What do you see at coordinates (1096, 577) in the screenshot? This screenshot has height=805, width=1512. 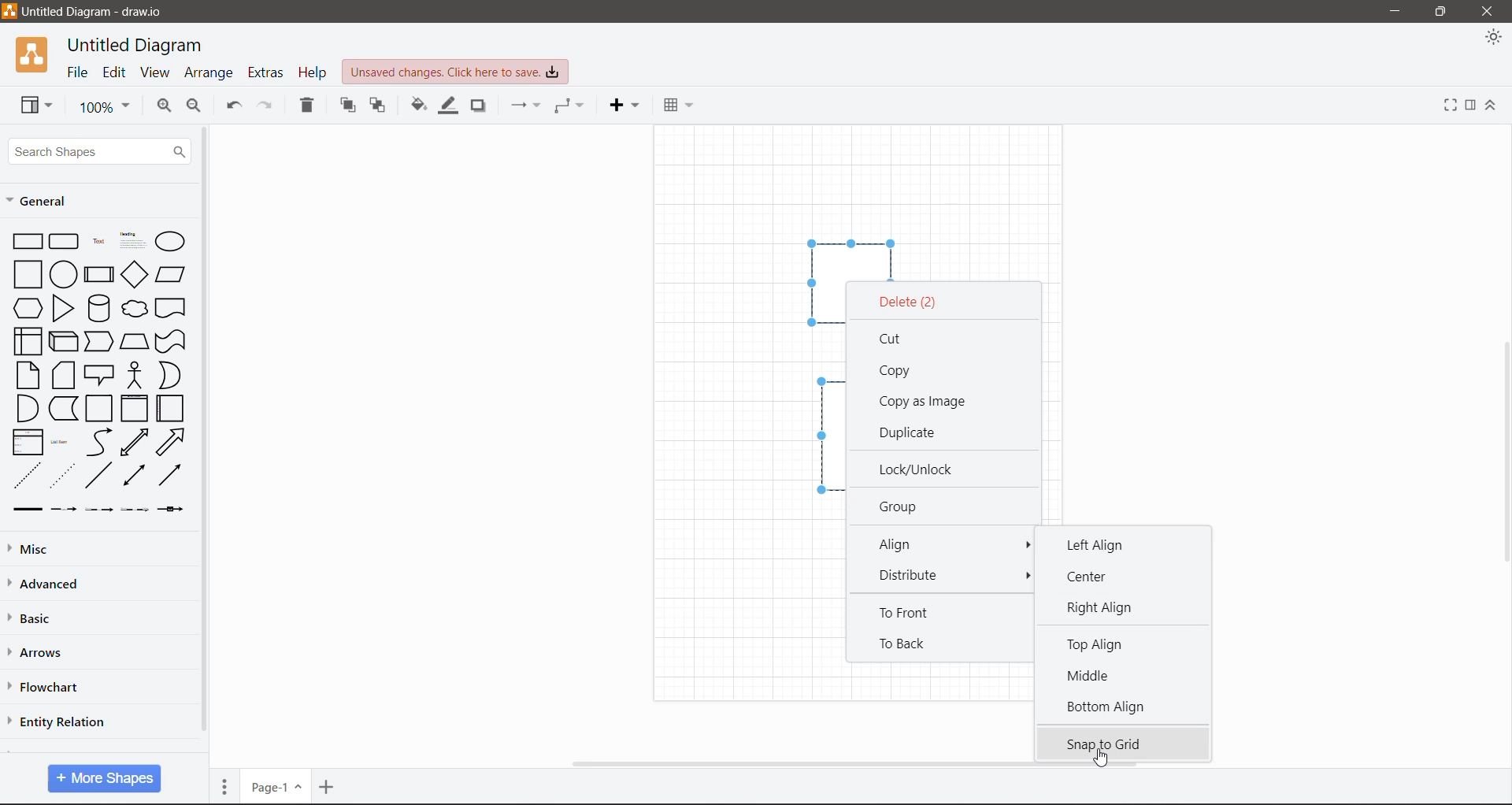 I see `Center` at bounding box center [1096, 577].